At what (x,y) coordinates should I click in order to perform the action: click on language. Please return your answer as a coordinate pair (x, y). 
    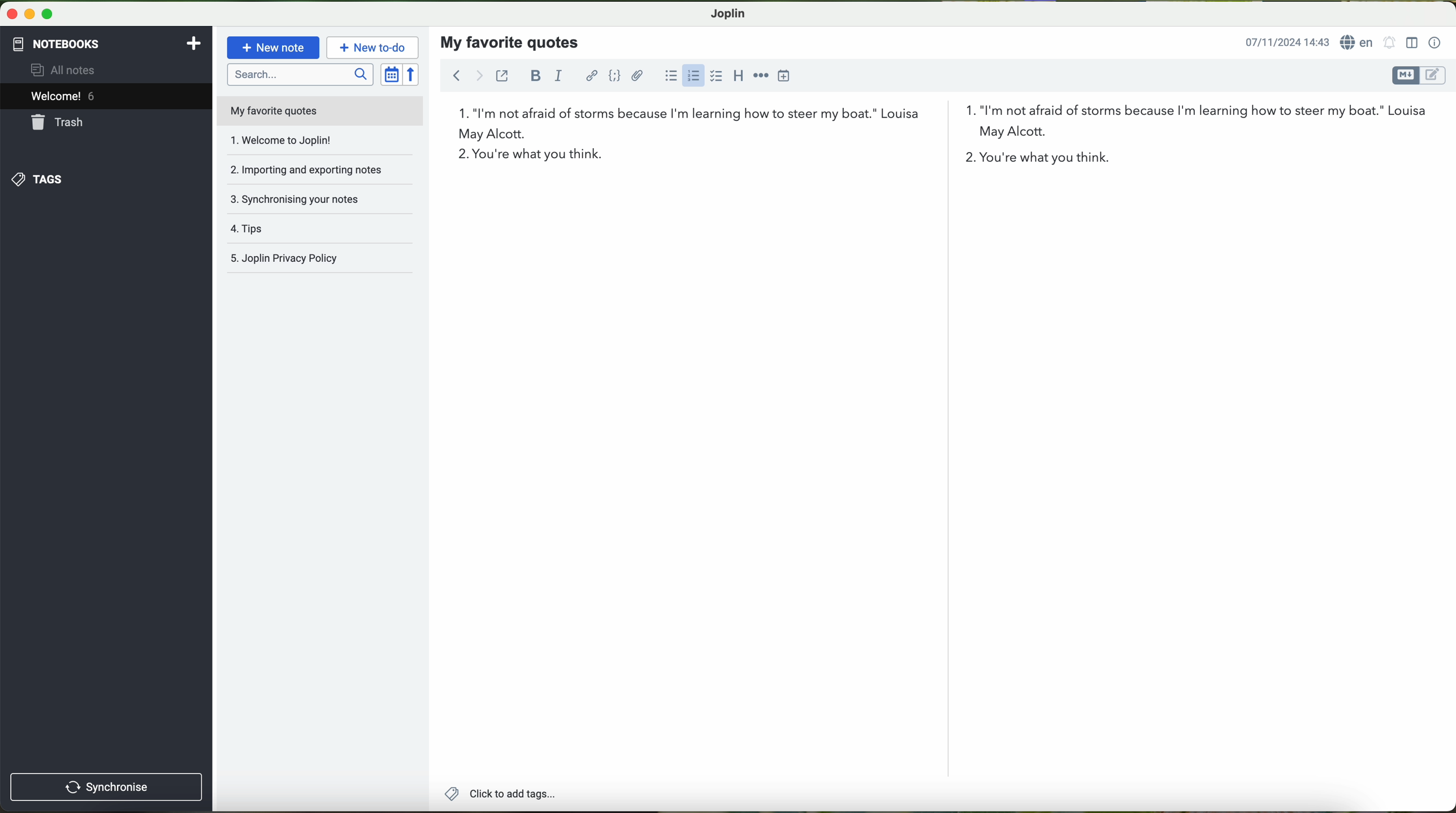
    Looking at the image, I should click on (1359, 42).